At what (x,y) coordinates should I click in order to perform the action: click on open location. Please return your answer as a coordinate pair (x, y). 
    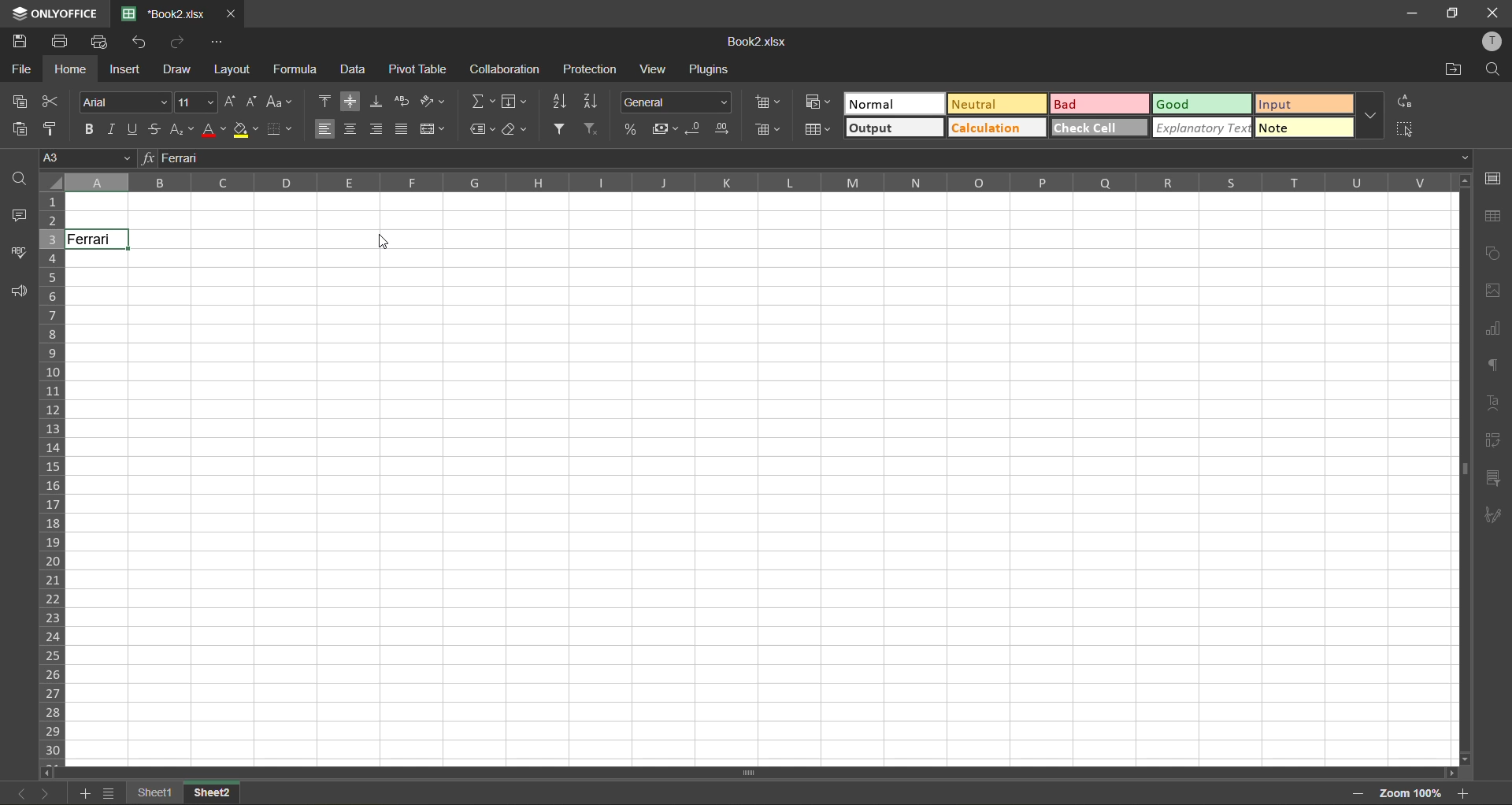
    Looking at the image, I should click on (1455, 69).